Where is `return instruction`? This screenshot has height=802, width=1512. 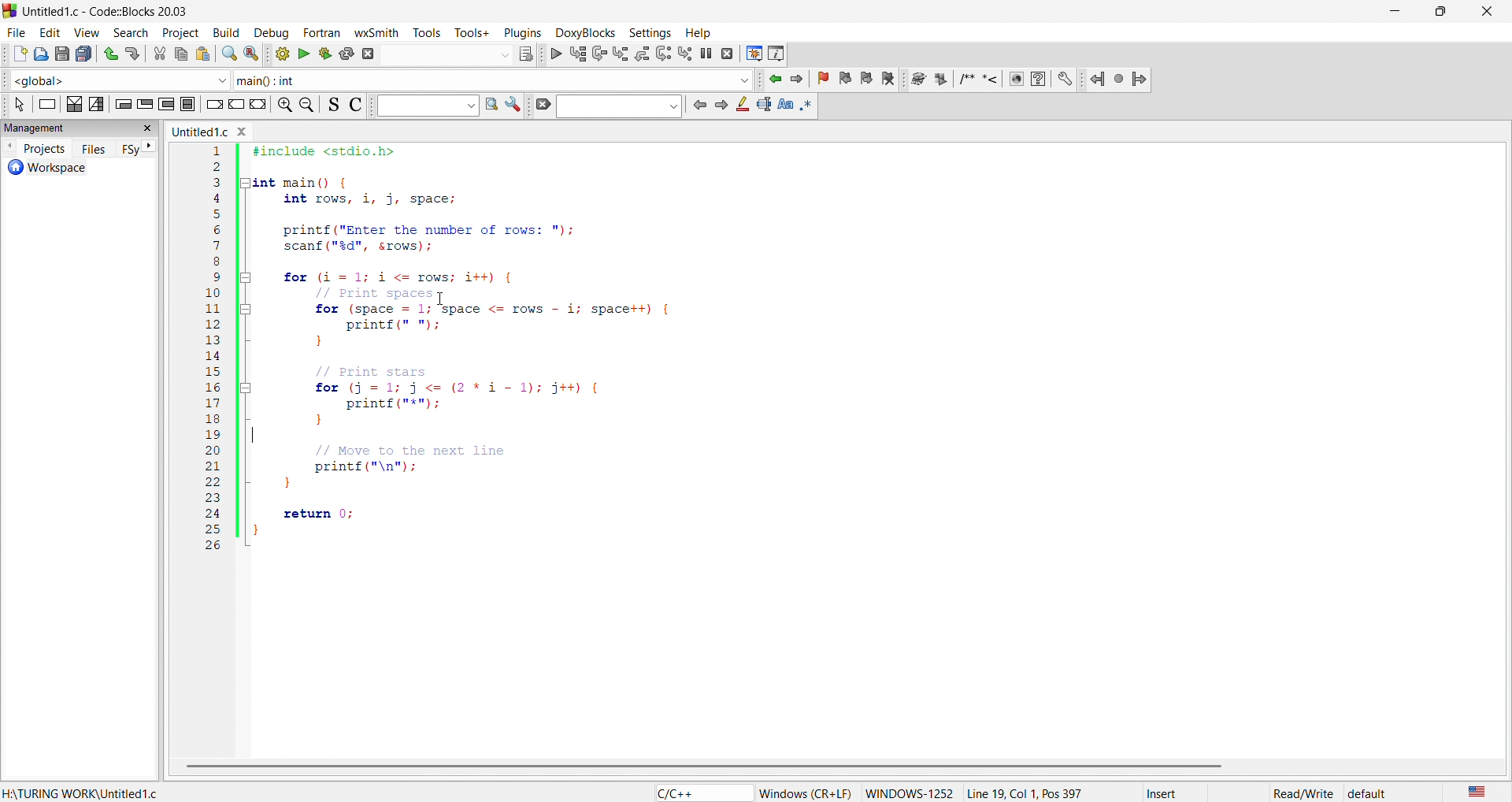 return instruction is located at coordinates (258, 104).